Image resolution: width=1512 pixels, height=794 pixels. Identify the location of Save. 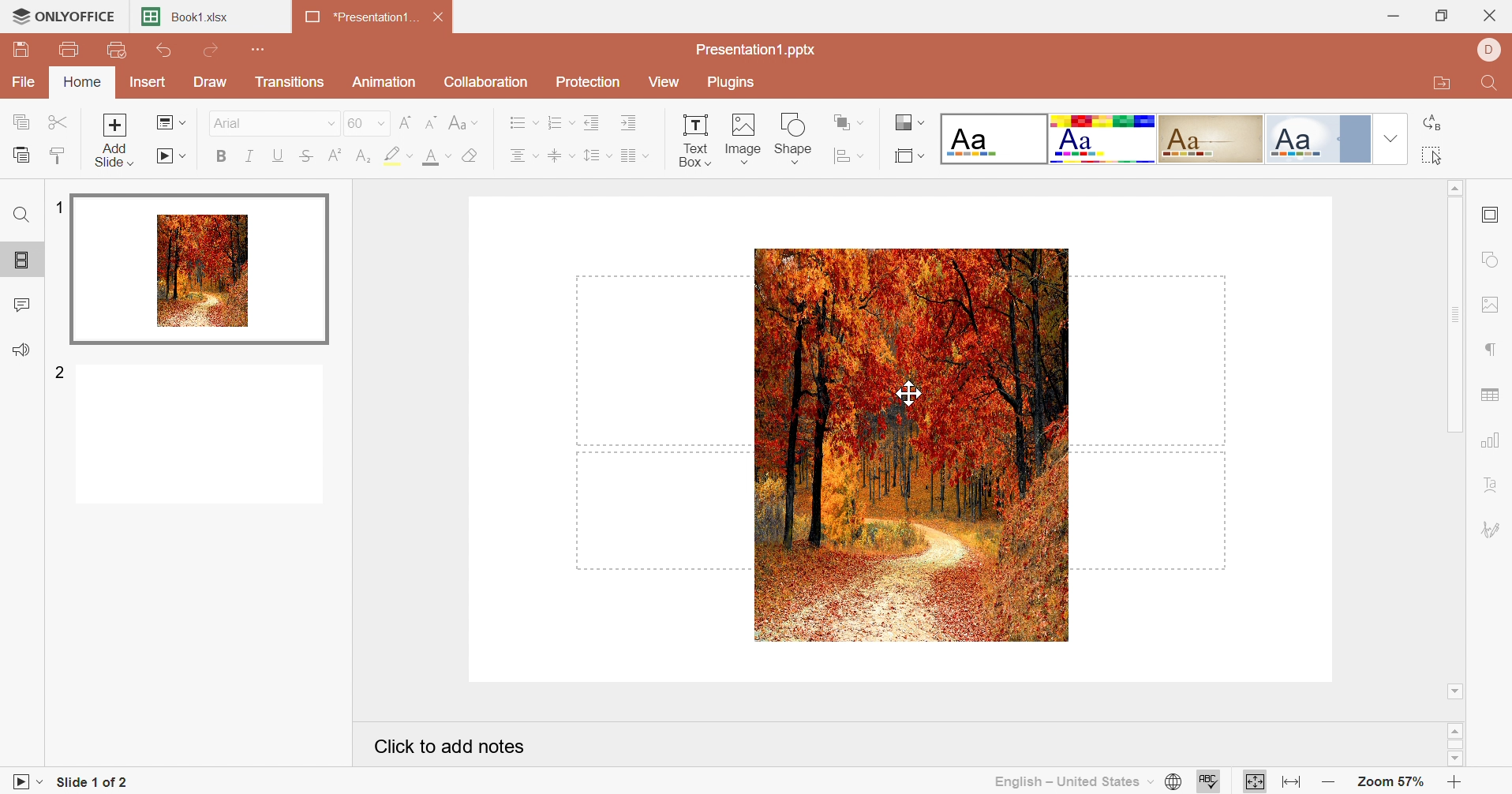
(18, 47).